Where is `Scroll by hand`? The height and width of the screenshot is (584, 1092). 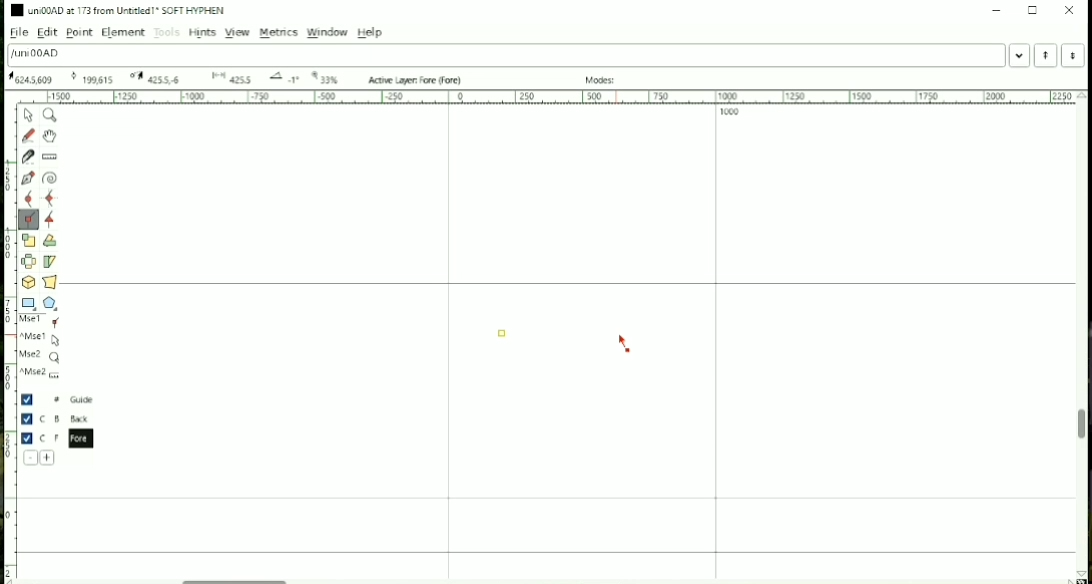
Scroll by hand is located at coordinates (49, 136).